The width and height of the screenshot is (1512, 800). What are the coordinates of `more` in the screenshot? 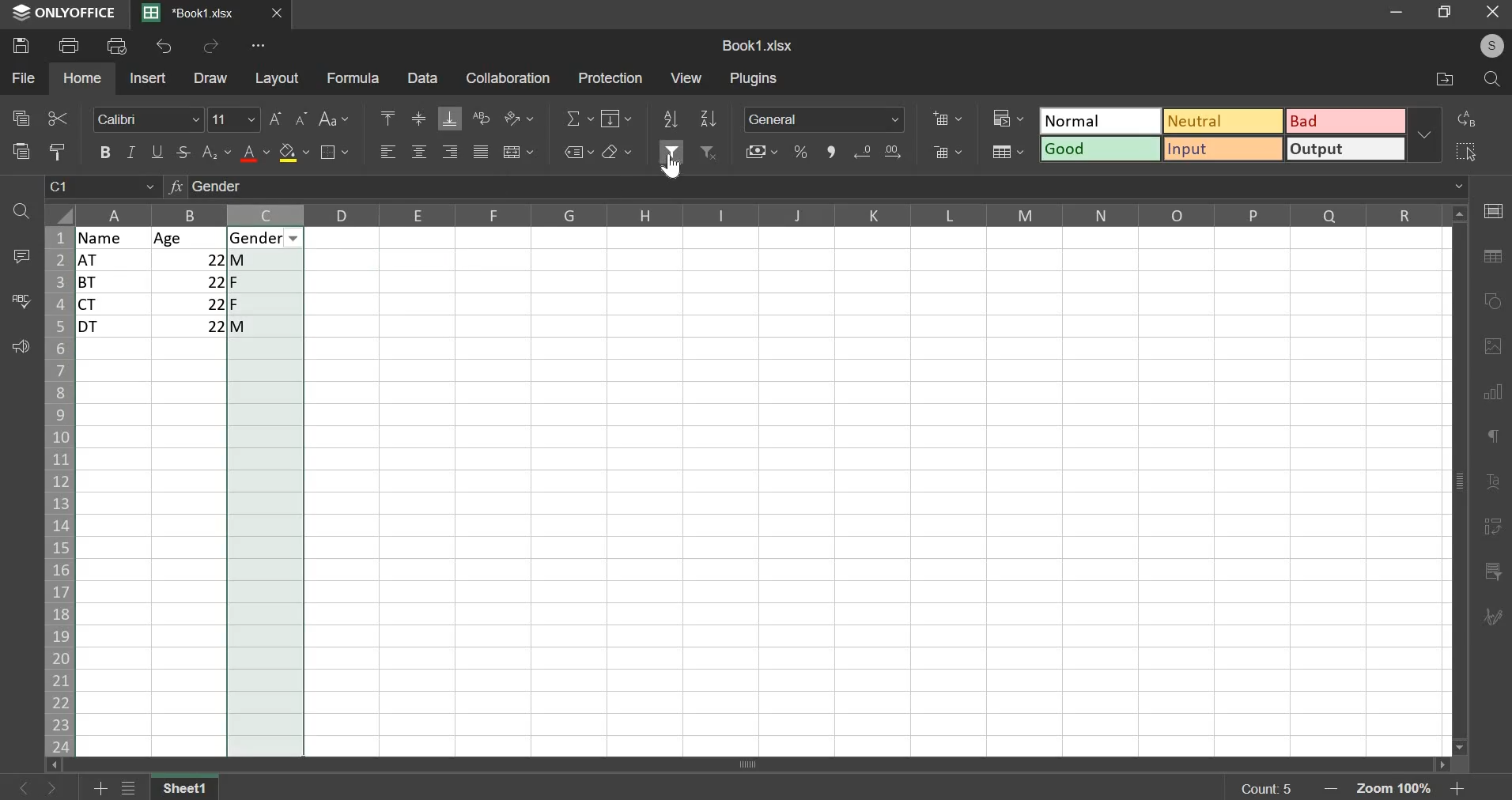 It's located at (254, 48).